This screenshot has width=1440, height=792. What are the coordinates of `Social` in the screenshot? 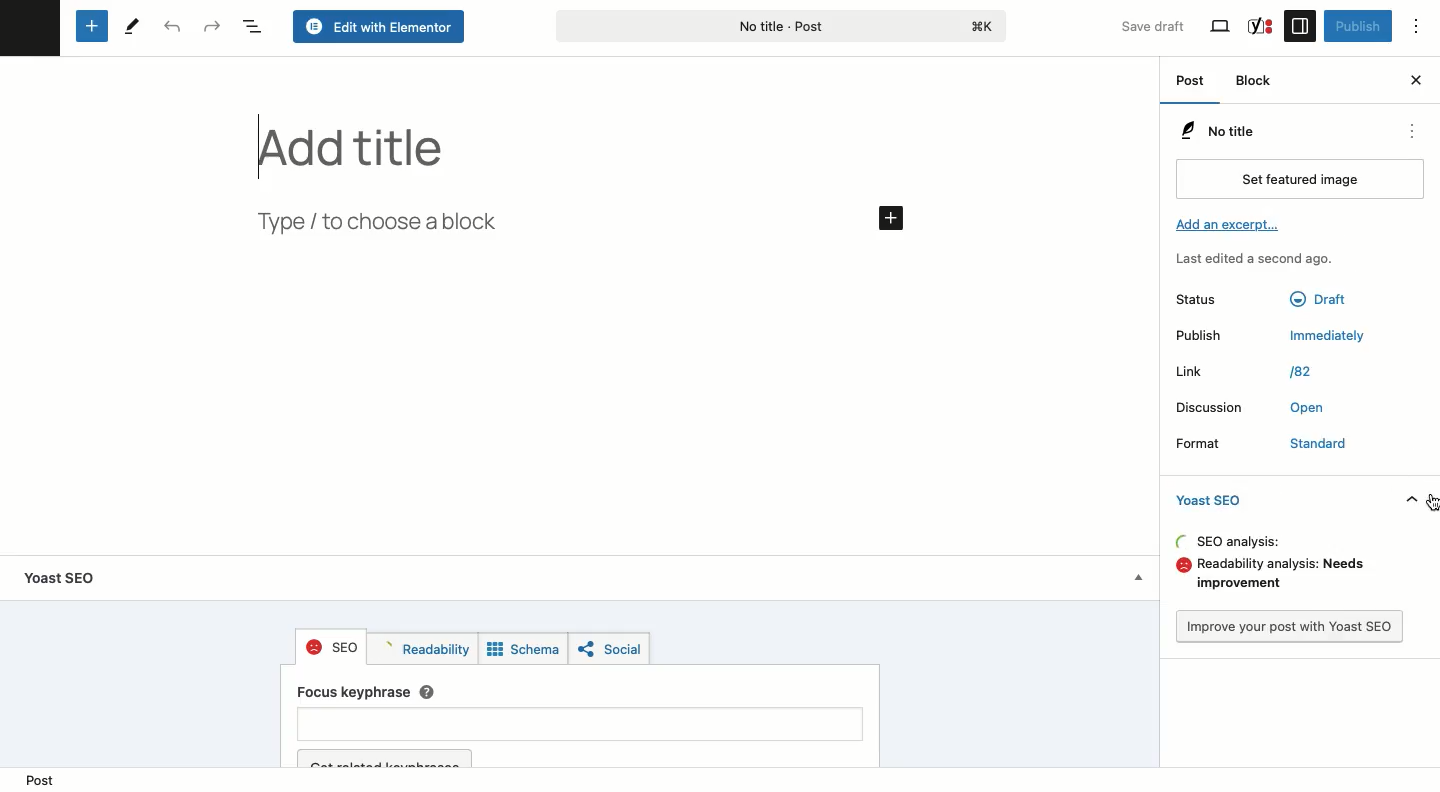 It's located at (609, 650).